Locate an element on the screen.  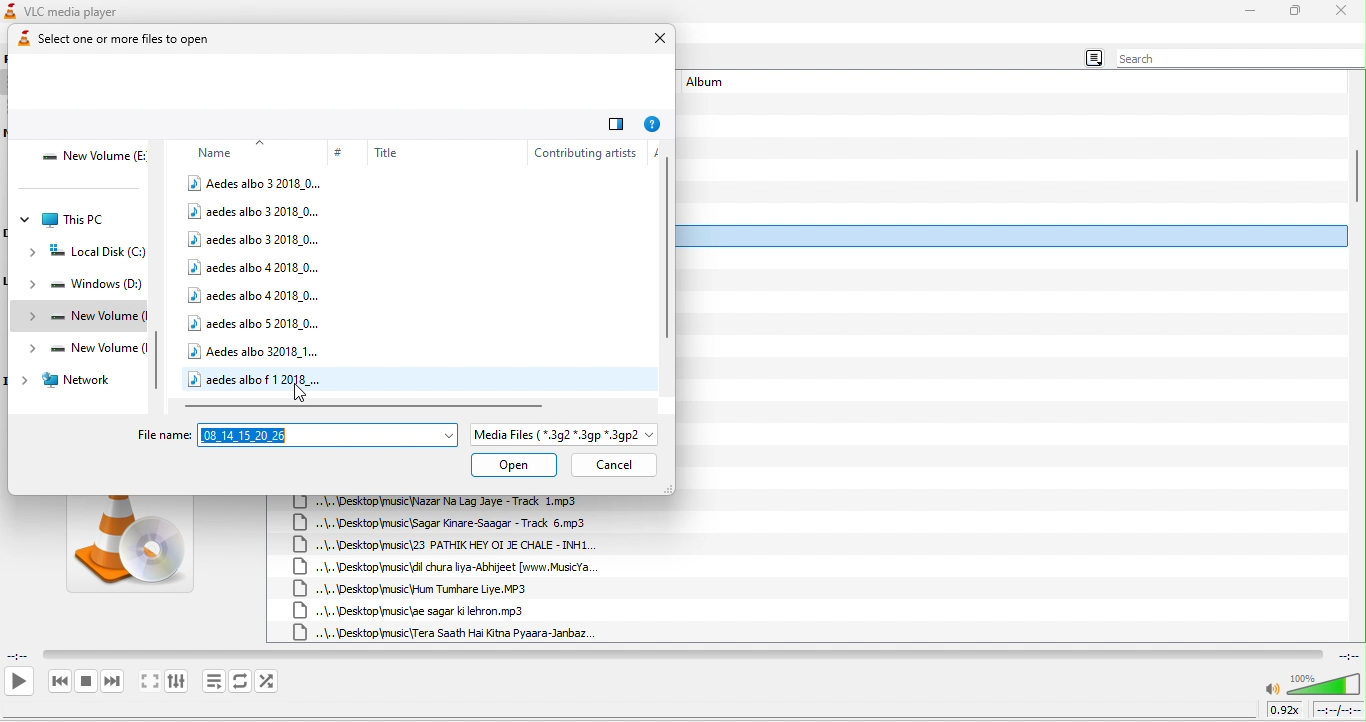
elapsed time is located at coordinates (20, 654).